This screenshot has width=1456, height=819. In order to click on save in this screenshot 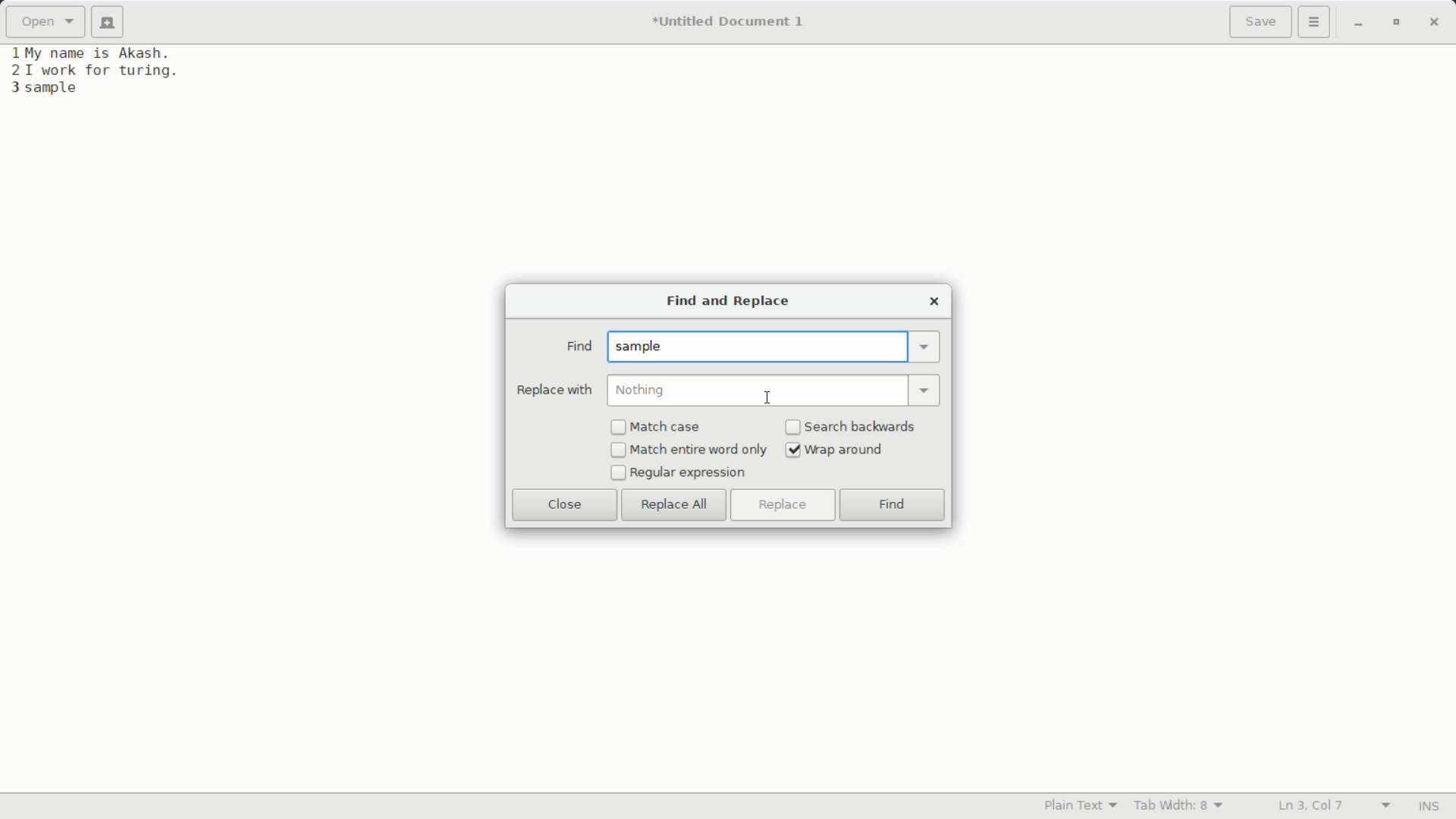, I will do `click(1261, 24)`.